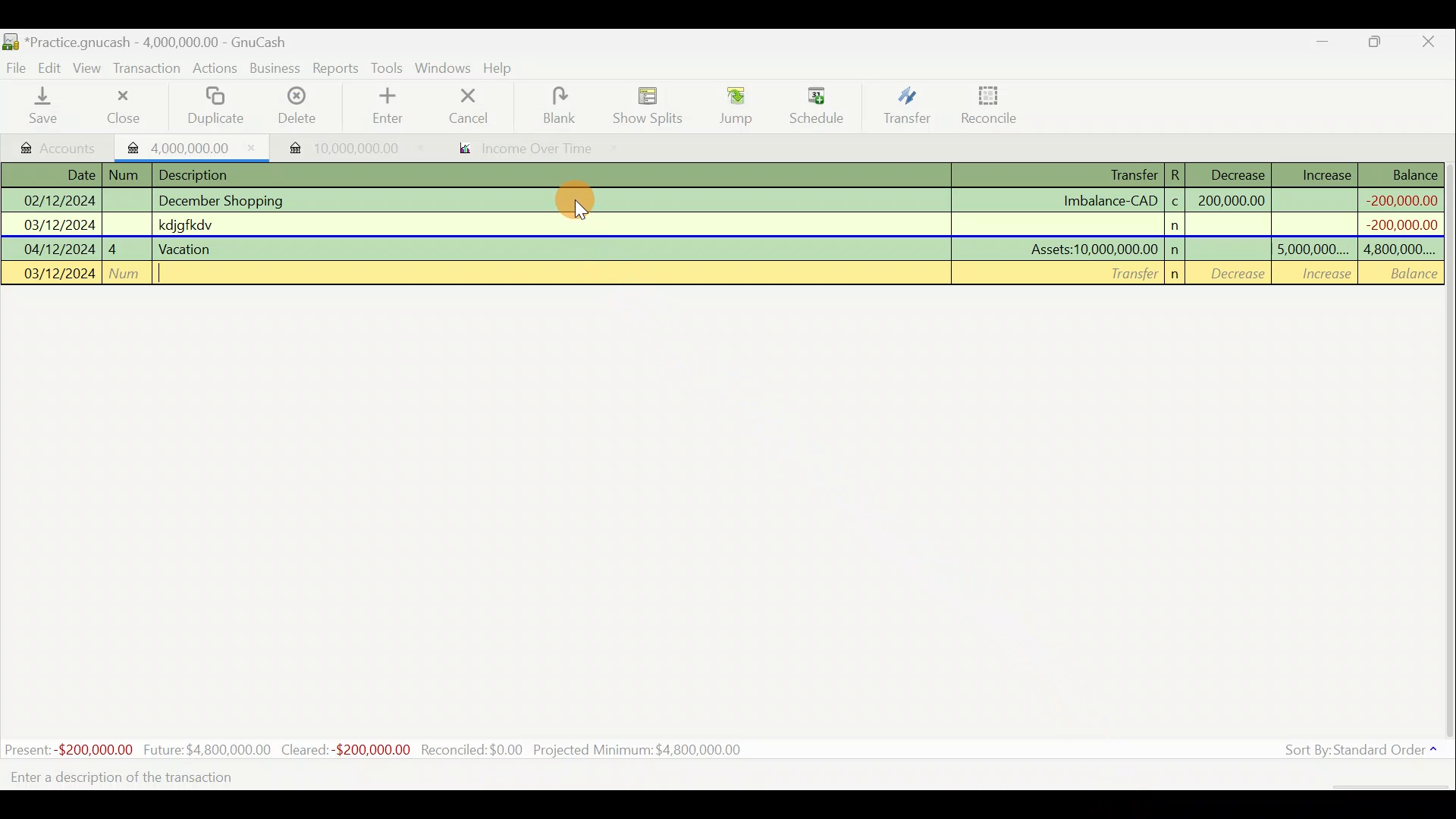 The height and width of the screenshot is (819, 1456). Describe the element at coordinates (132, 778) in the screenshot. I see `Enter a description` at that location.